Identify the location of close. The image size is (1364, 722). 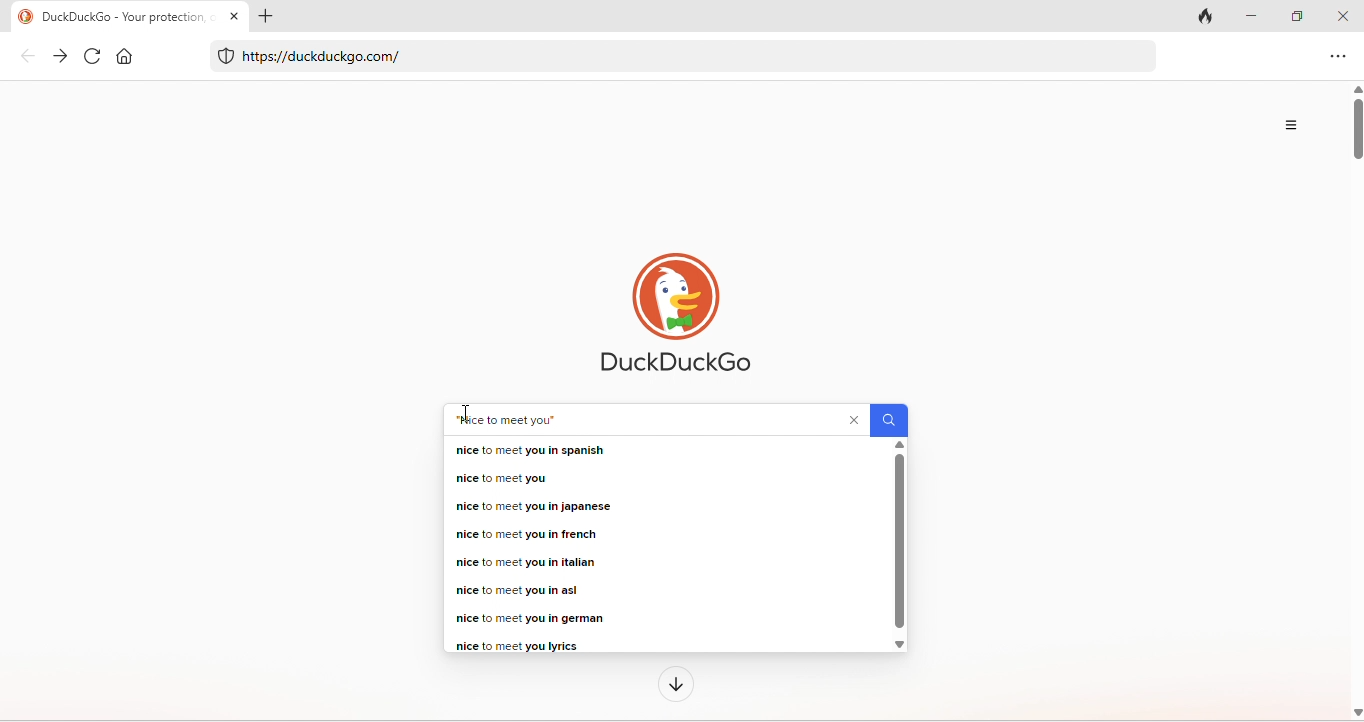
(1344, 13).